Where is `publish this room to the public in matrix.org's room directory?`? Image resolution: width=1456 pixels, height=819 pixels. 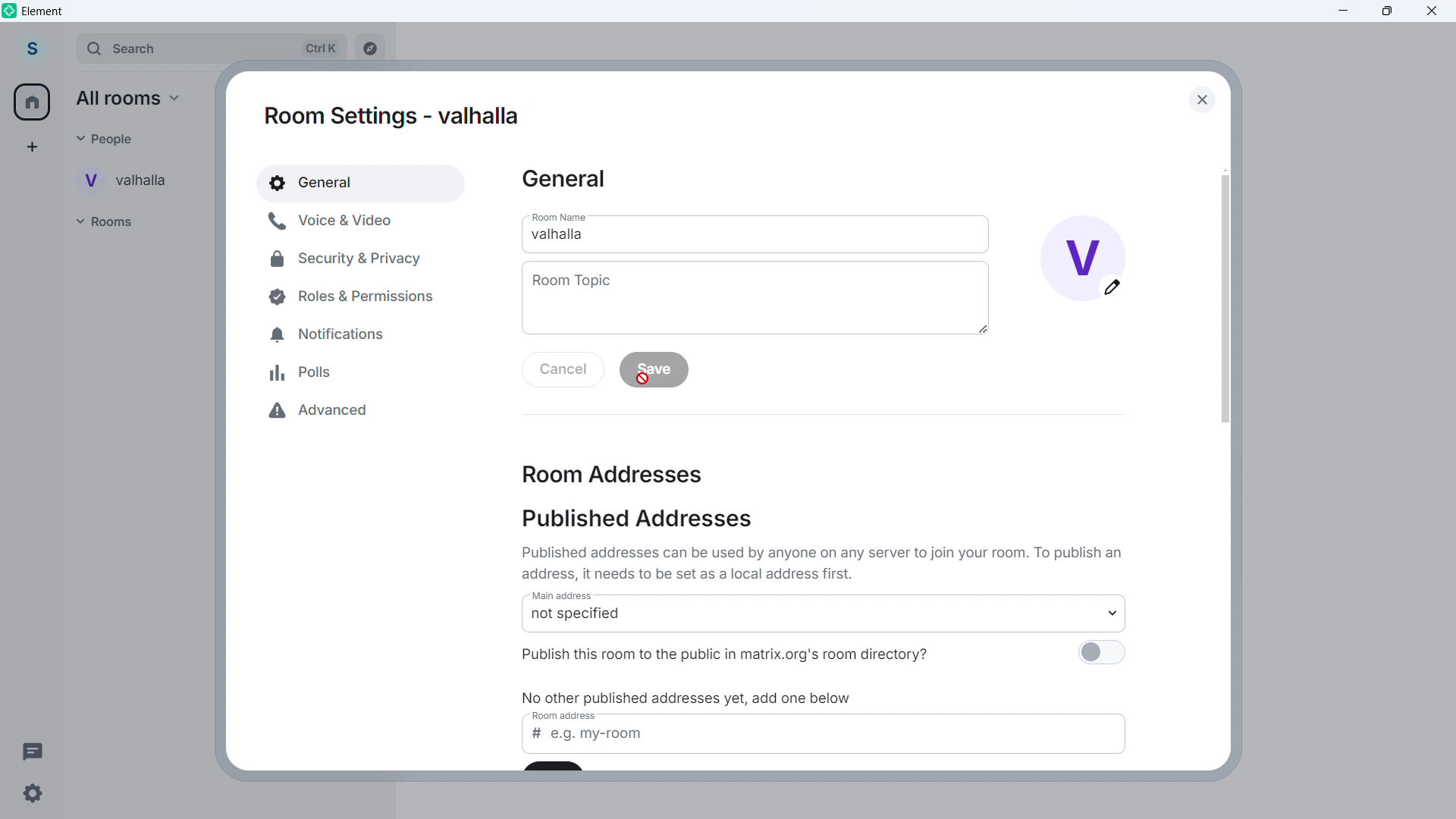 publish this room to the public in matrix.org's room directory? is located at coordinates (748, 653).